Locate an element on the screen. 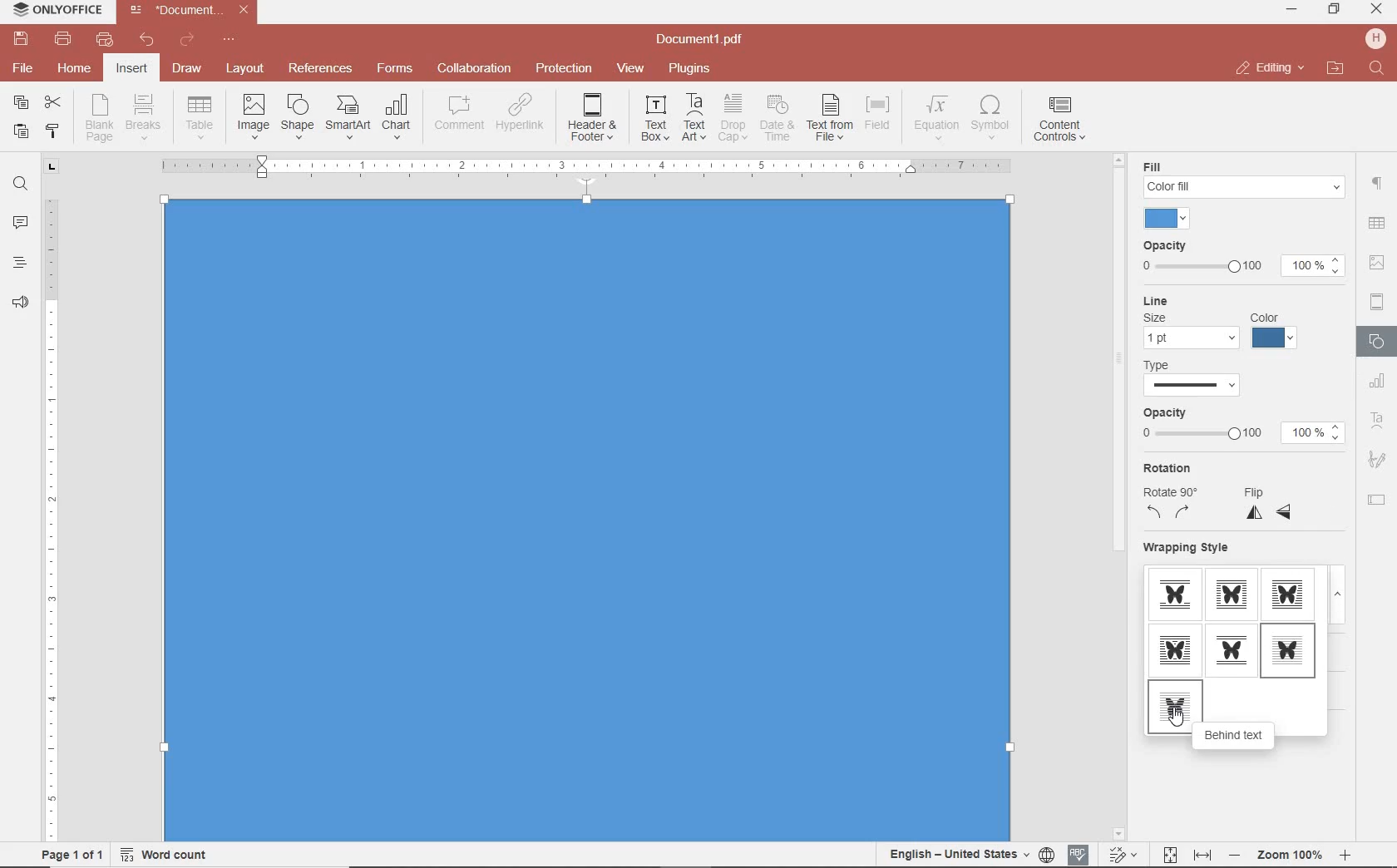 Image resolution: width=1397 pixels, height=868 pixels. find is located at coordinates (1379, 69).